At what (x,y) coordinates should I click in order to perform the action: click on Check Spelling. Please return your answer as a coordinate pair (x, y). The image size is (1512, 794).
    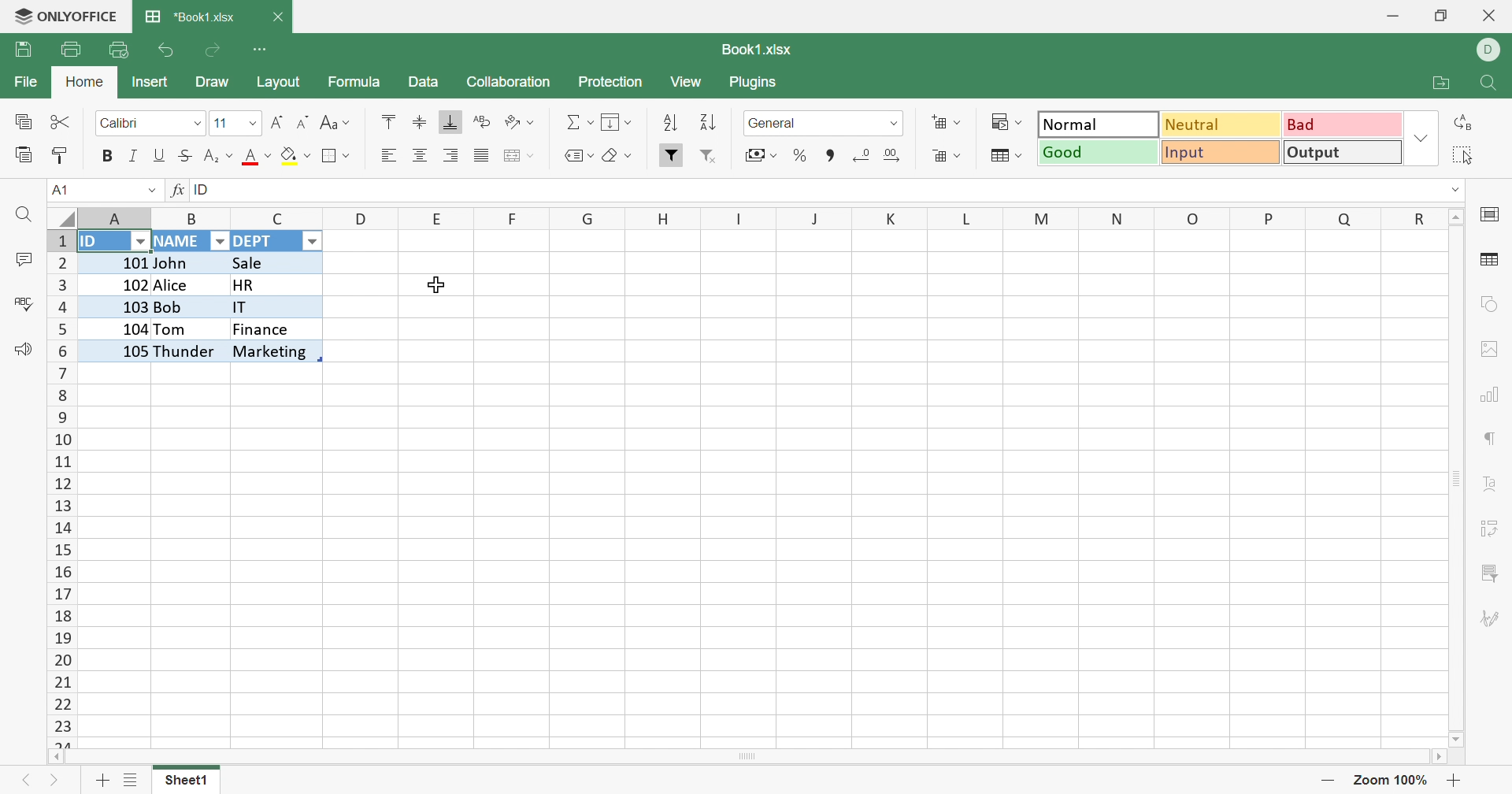
    Looking at the image, I should click on (23, 302).